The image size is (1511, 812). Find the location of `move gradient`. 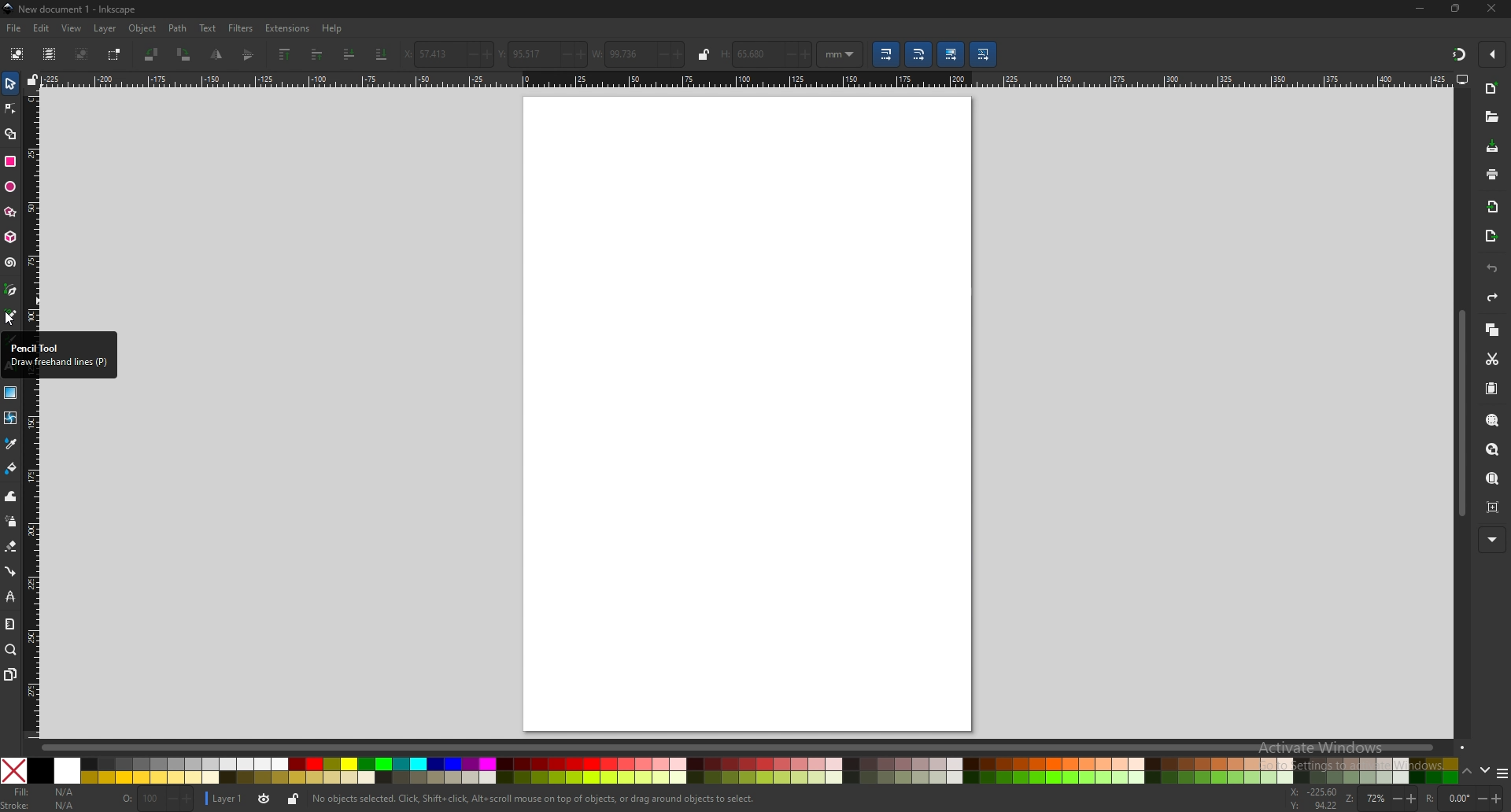

move gradient is located at coordinates (950, 54).